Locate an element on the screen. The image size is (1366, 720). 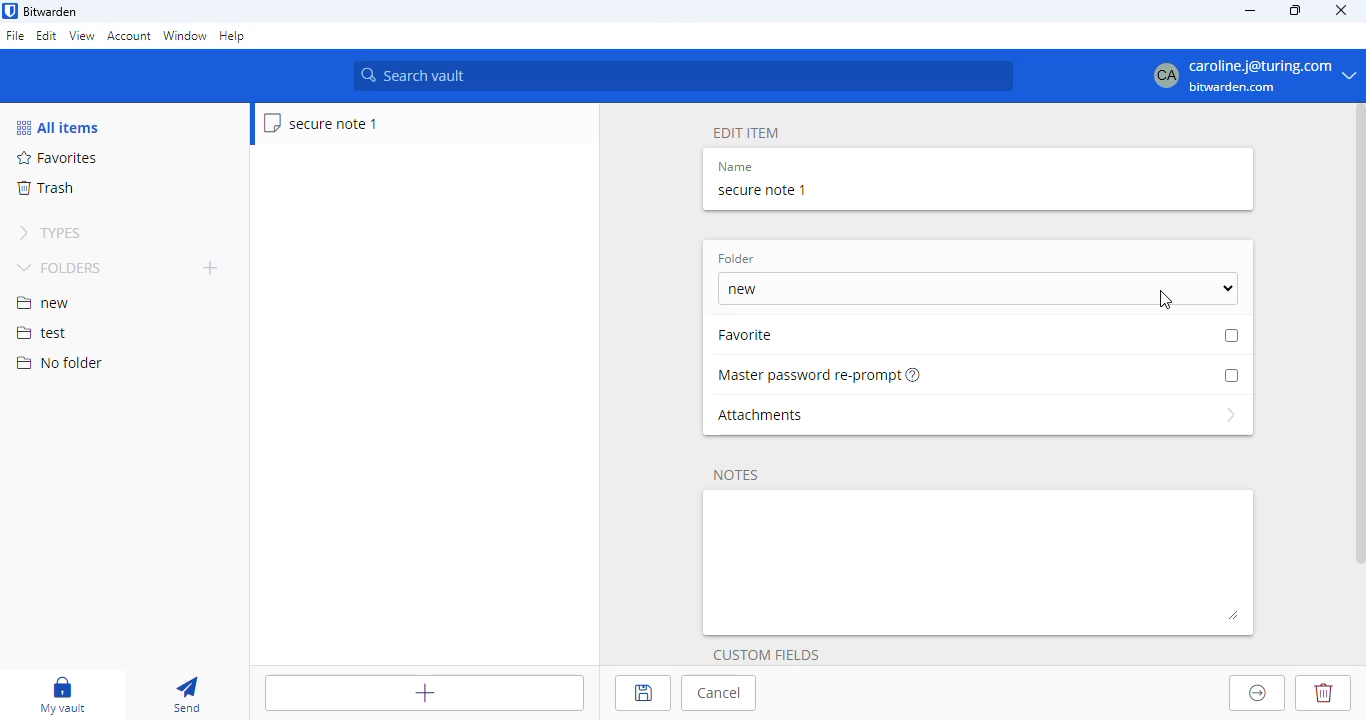
search vault is located at coordinates (683, 76).